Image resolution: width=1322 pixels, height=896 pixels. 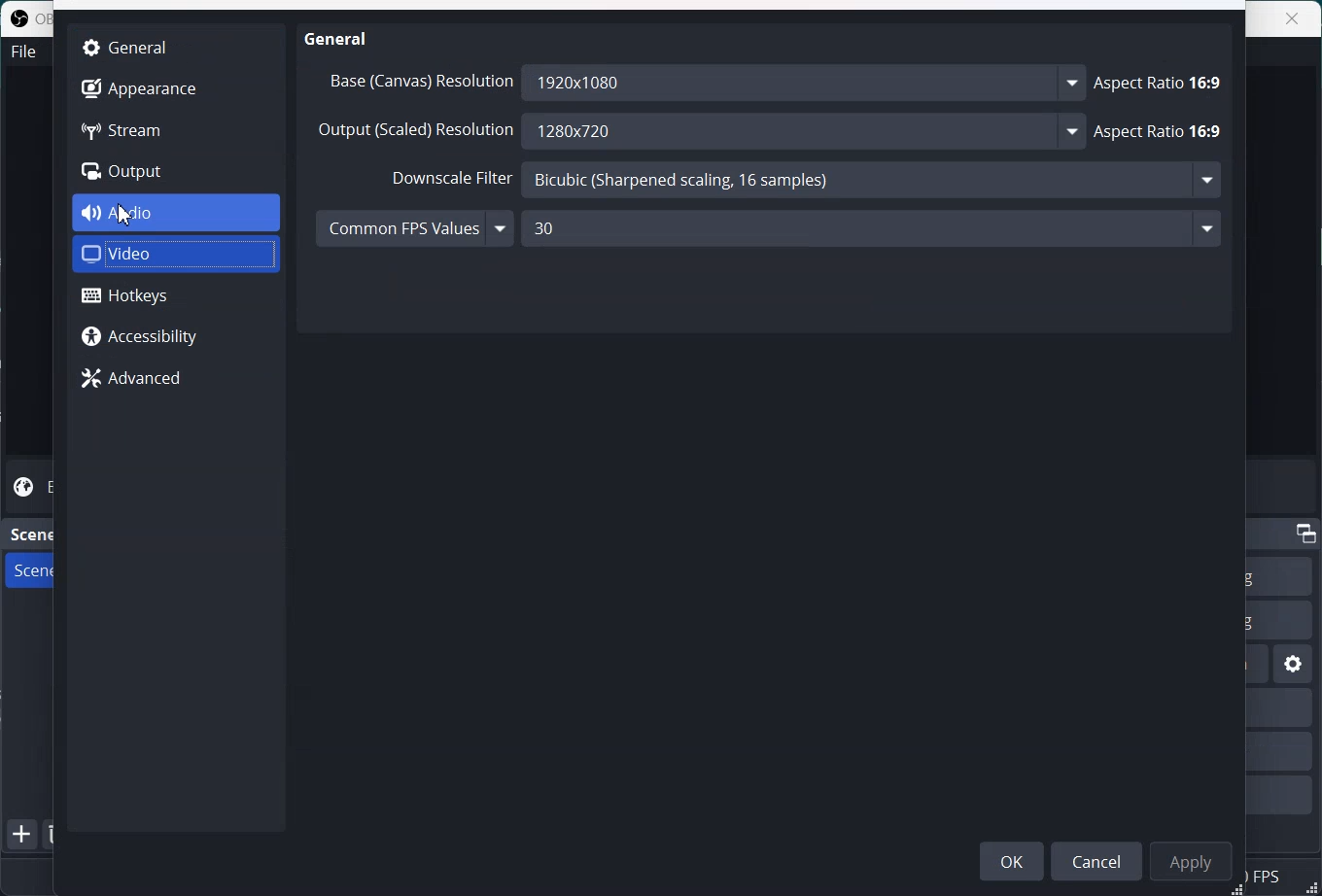 What do you see at coordinates (419, 130) in the screenshot?
I see `Output (scaled) Resolution` at bounding box center [419, 130].